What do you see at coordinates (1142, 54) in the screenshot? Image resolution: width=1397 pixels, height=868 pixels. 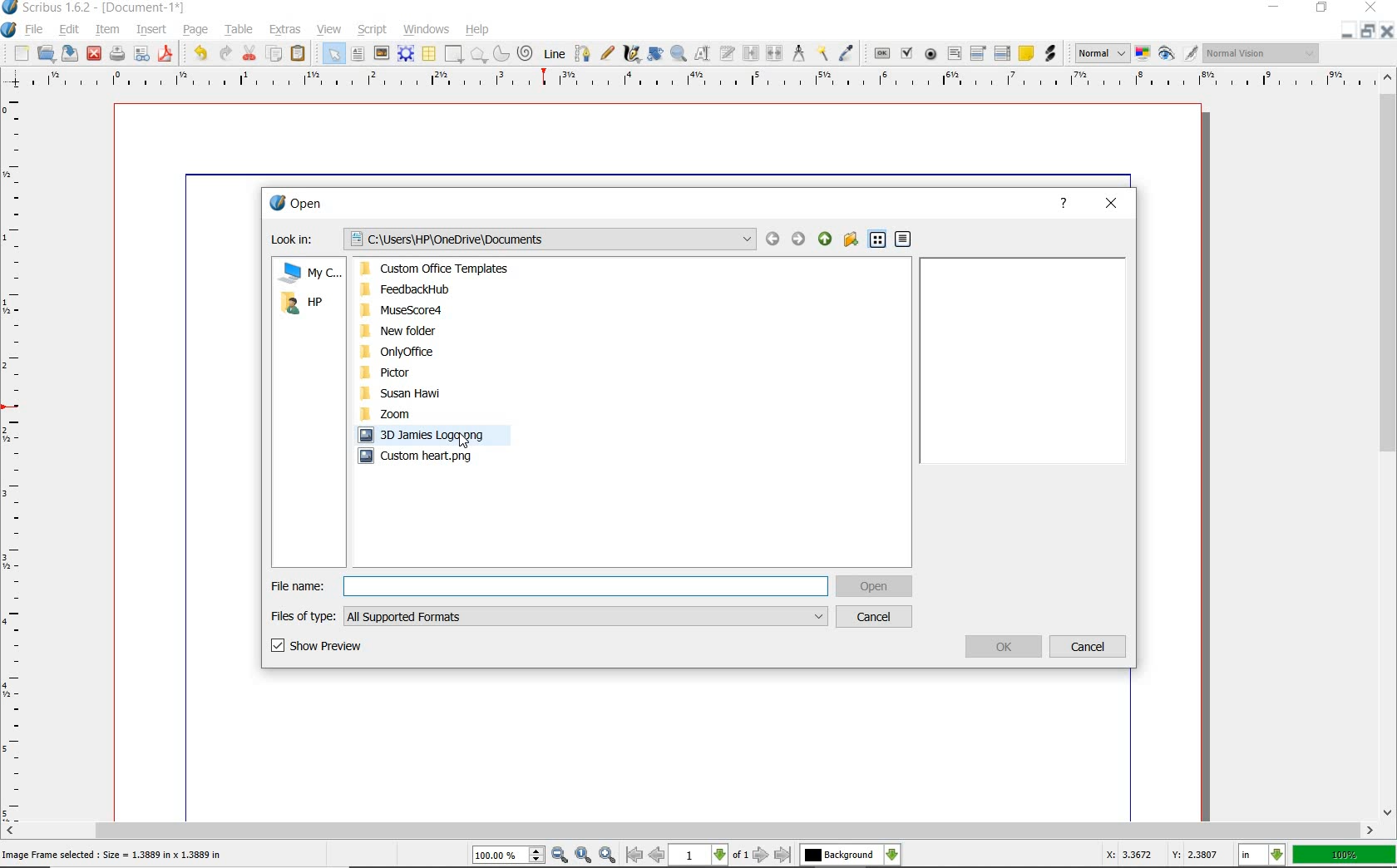 I see `toggle color management` at bounding box center [1142, 54].